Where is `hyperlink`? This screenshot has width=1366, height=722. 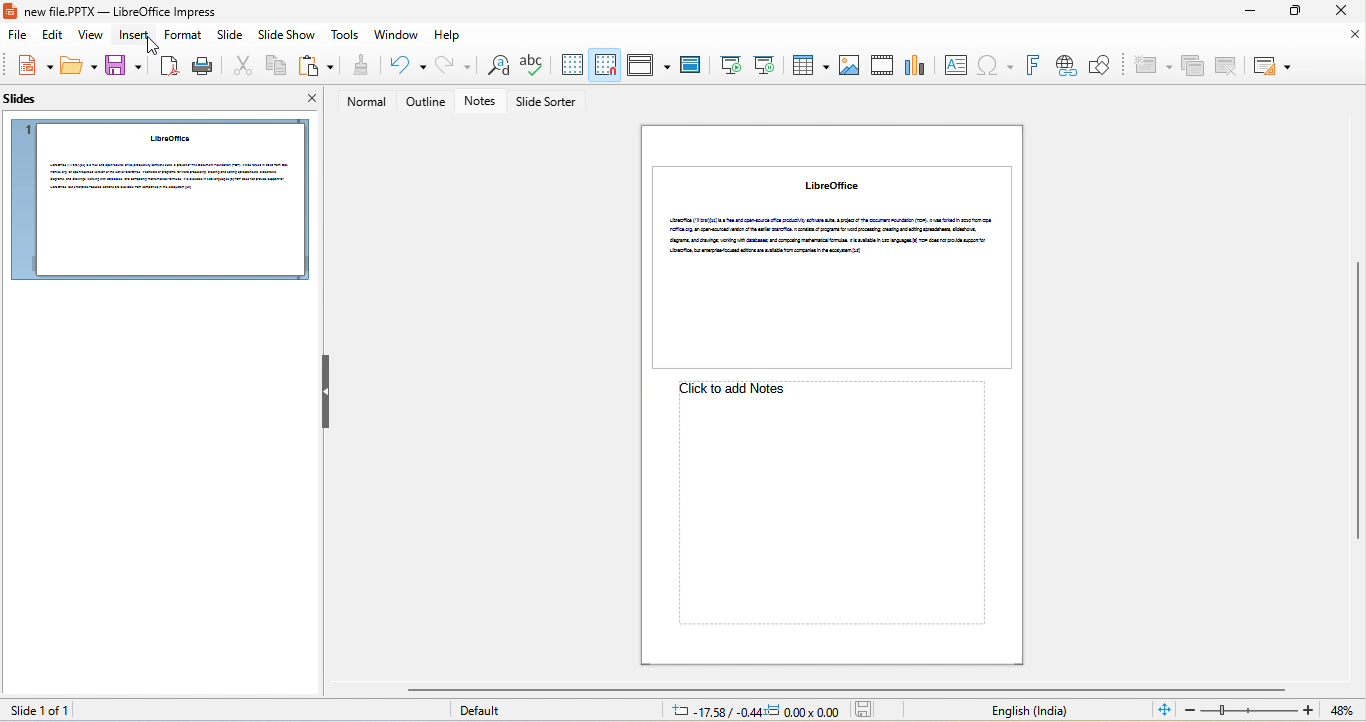
hyperlink is located at coordinates (1065, 66).